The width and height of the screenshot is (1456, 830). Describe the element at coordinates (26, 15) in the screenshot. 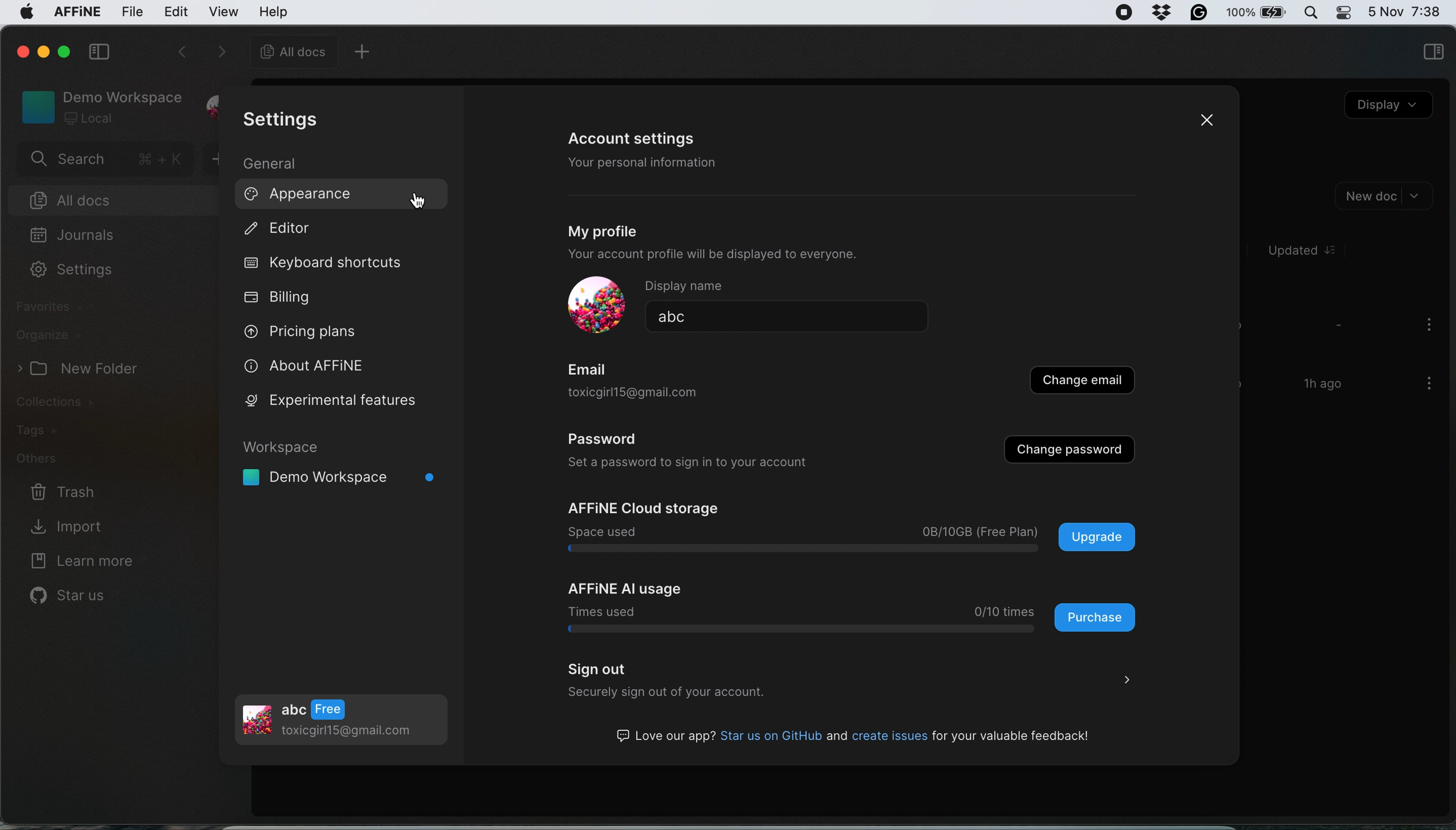

I see `system logo` at that location.